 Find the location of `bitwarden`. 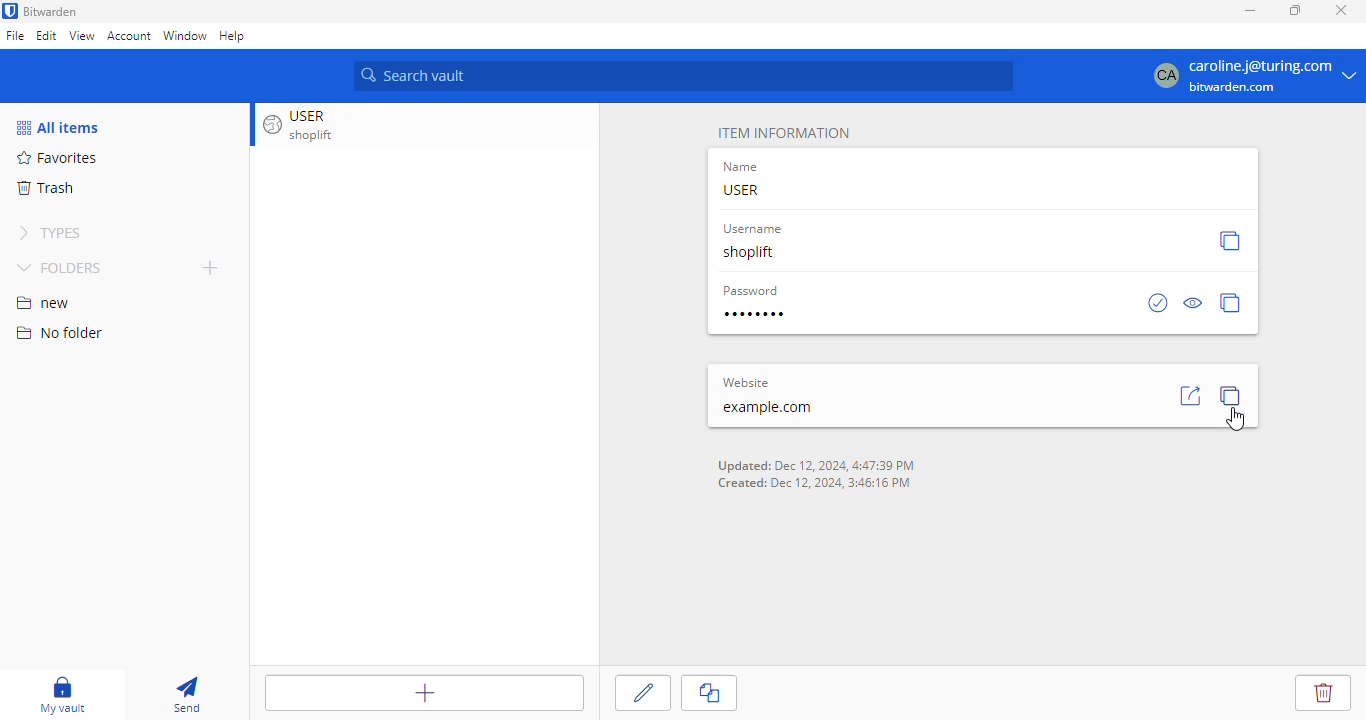

bitwarden is located at coordinates (51, 12).